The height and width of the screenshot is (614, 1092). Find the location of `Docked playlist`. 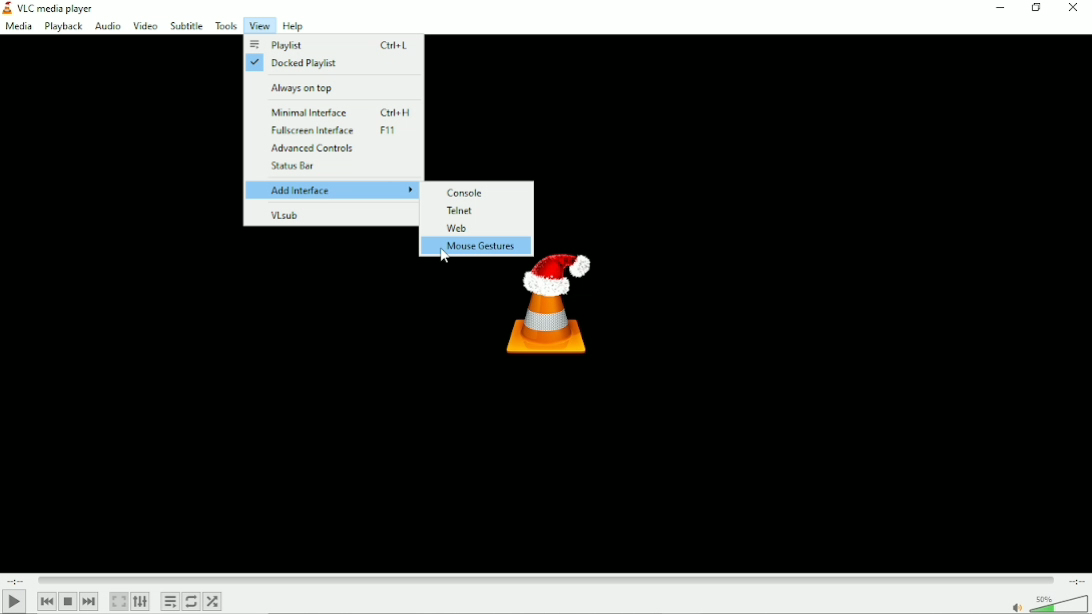

Docked playlist is located at coordinates (330, 65).